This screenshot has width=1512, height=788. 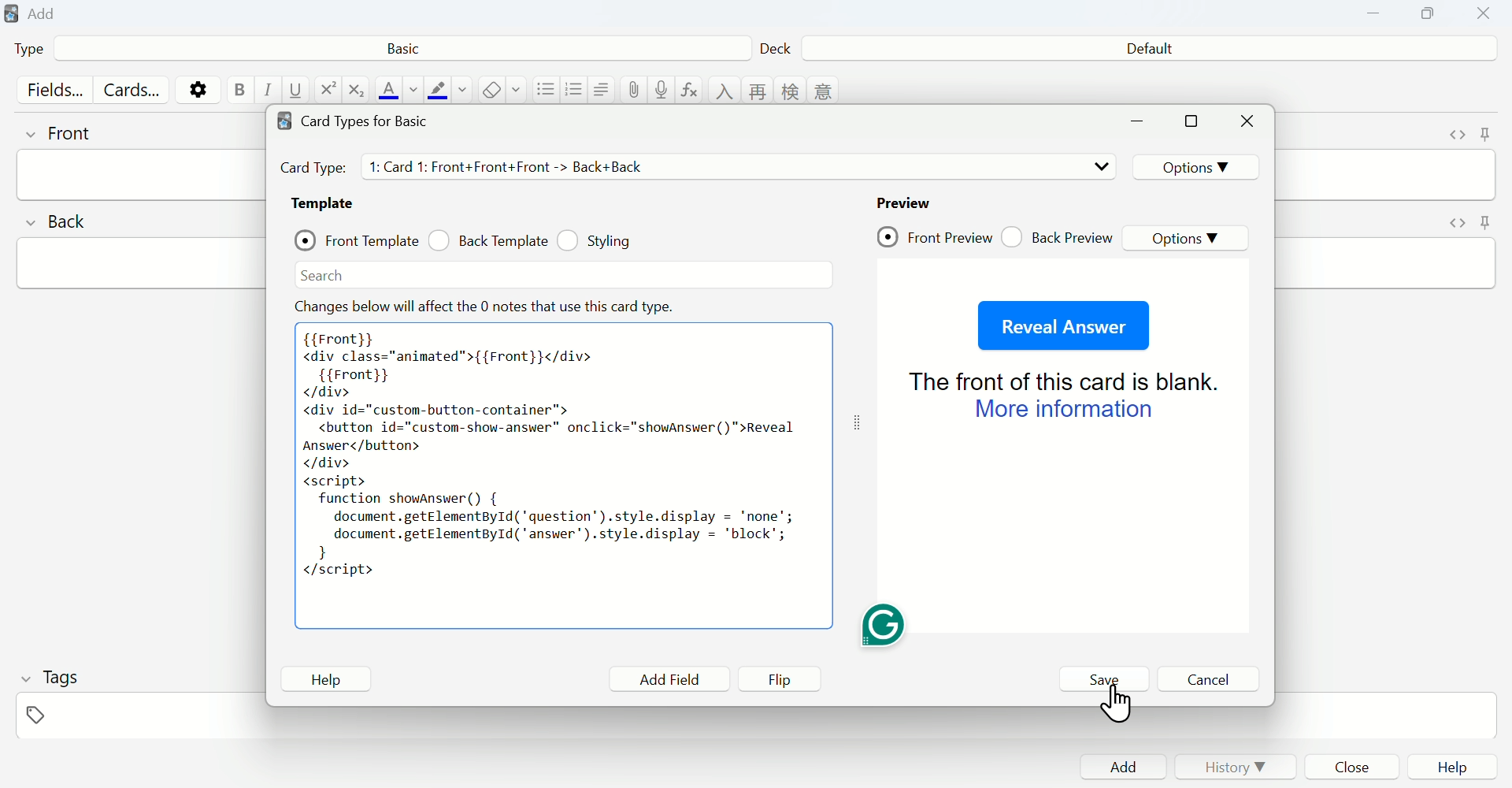 What do you see at coordinates (517, 90) in the screenshot?
I see `select formatting to remove` at bounding box center [517, 90].